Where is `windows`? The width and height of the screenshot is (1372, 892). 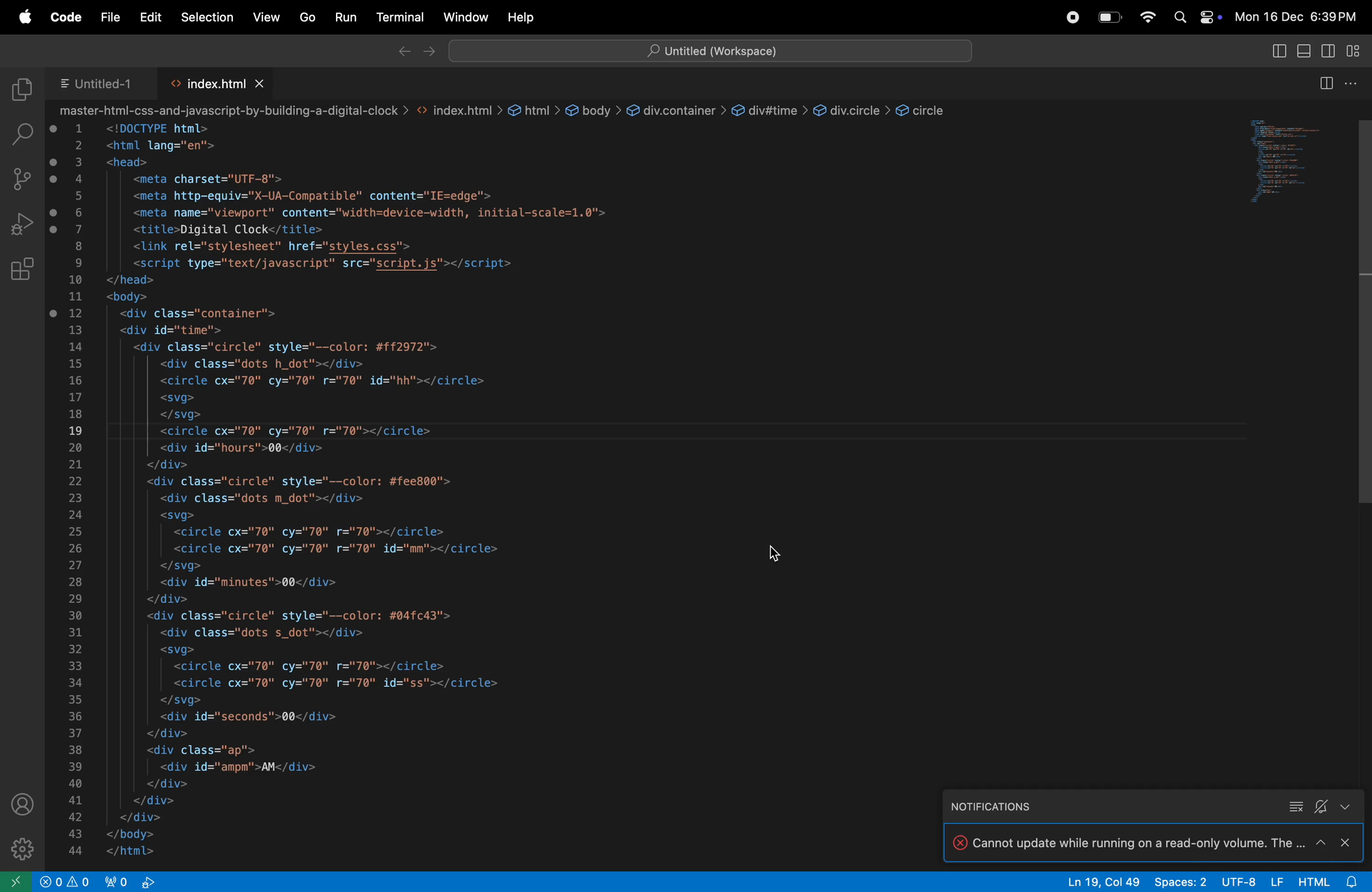
windows is located at coordinates (466, 17).